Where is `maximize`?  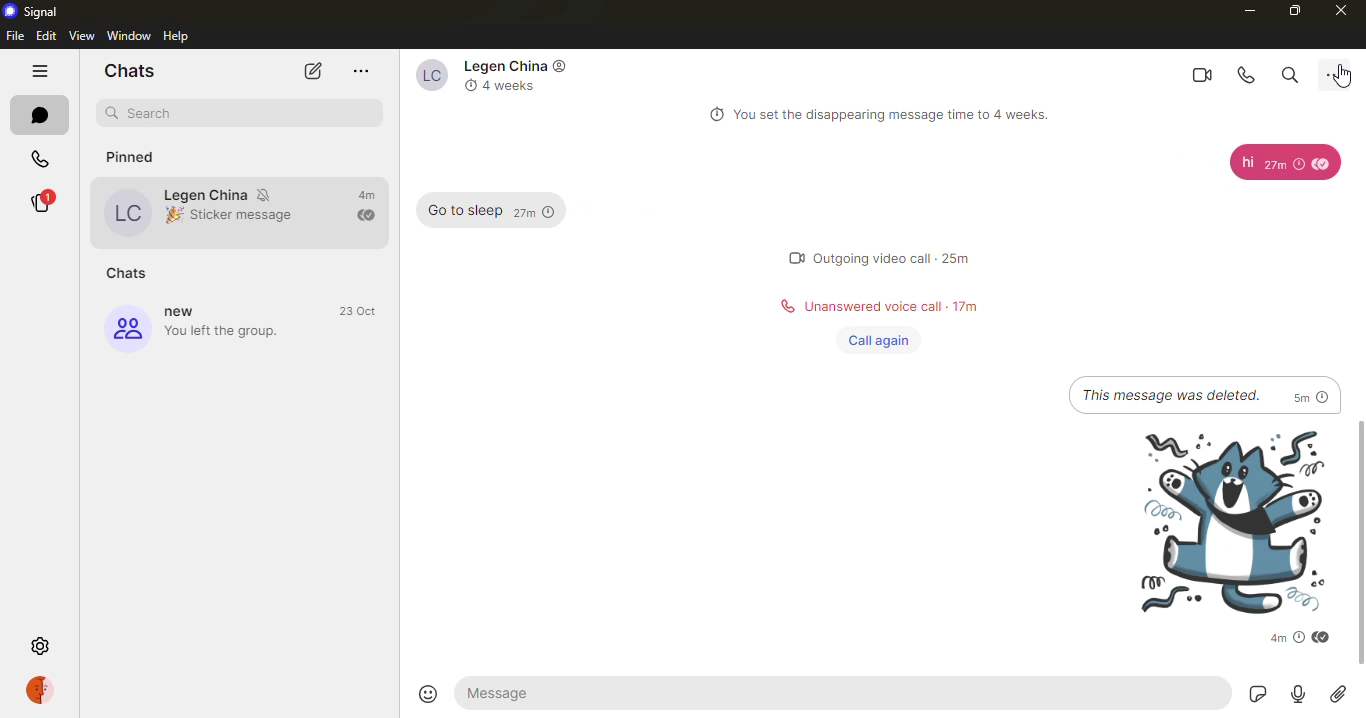 maximize is located at coordinates (1293, 10).